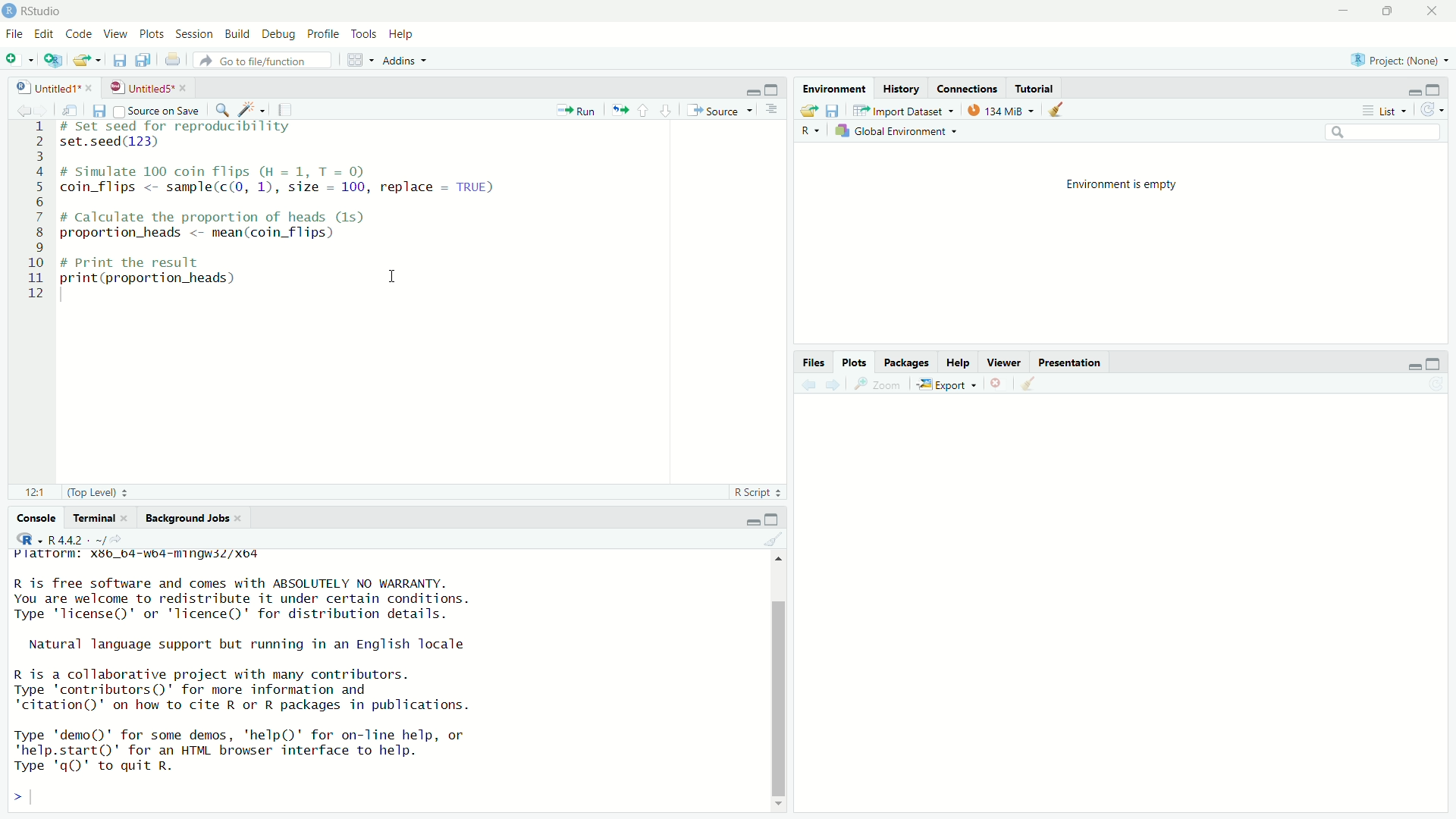 This screenshot has height=819, width=1456. I want to click on search field, so click(1384, 131).